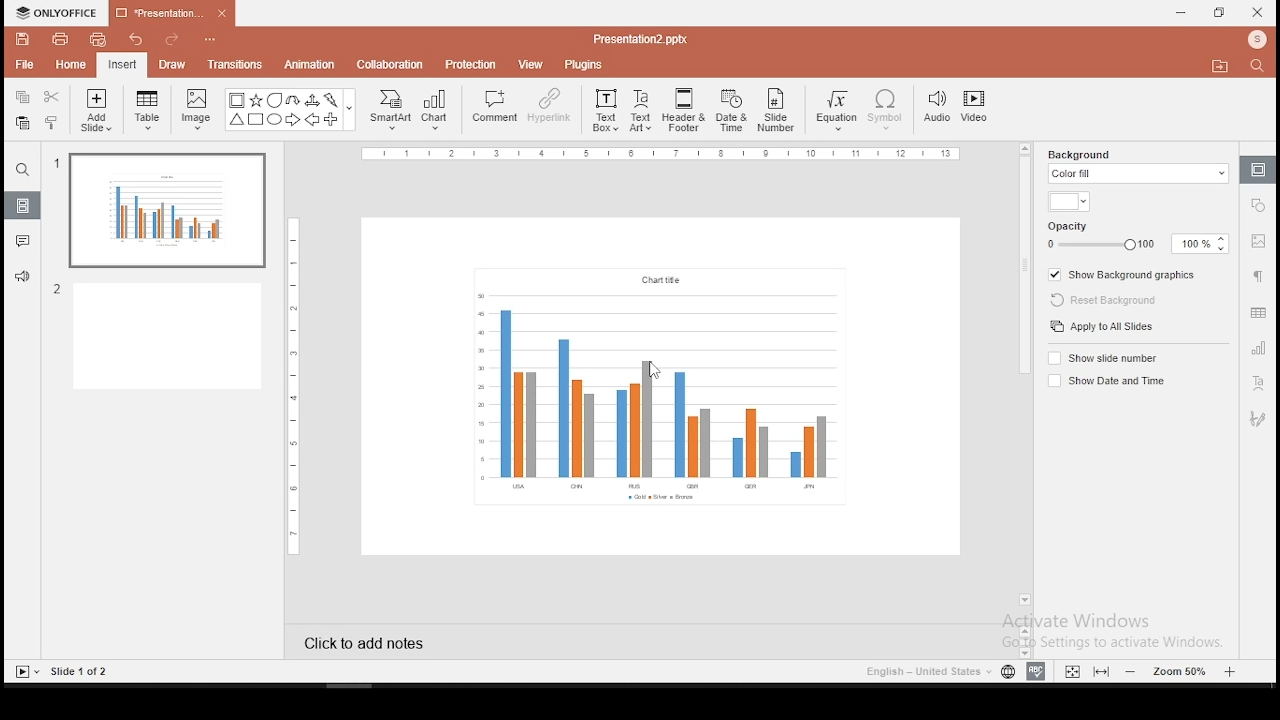 The width and height of the screenshot is (1280, 720). I want to click on animation, so click(312, 65).